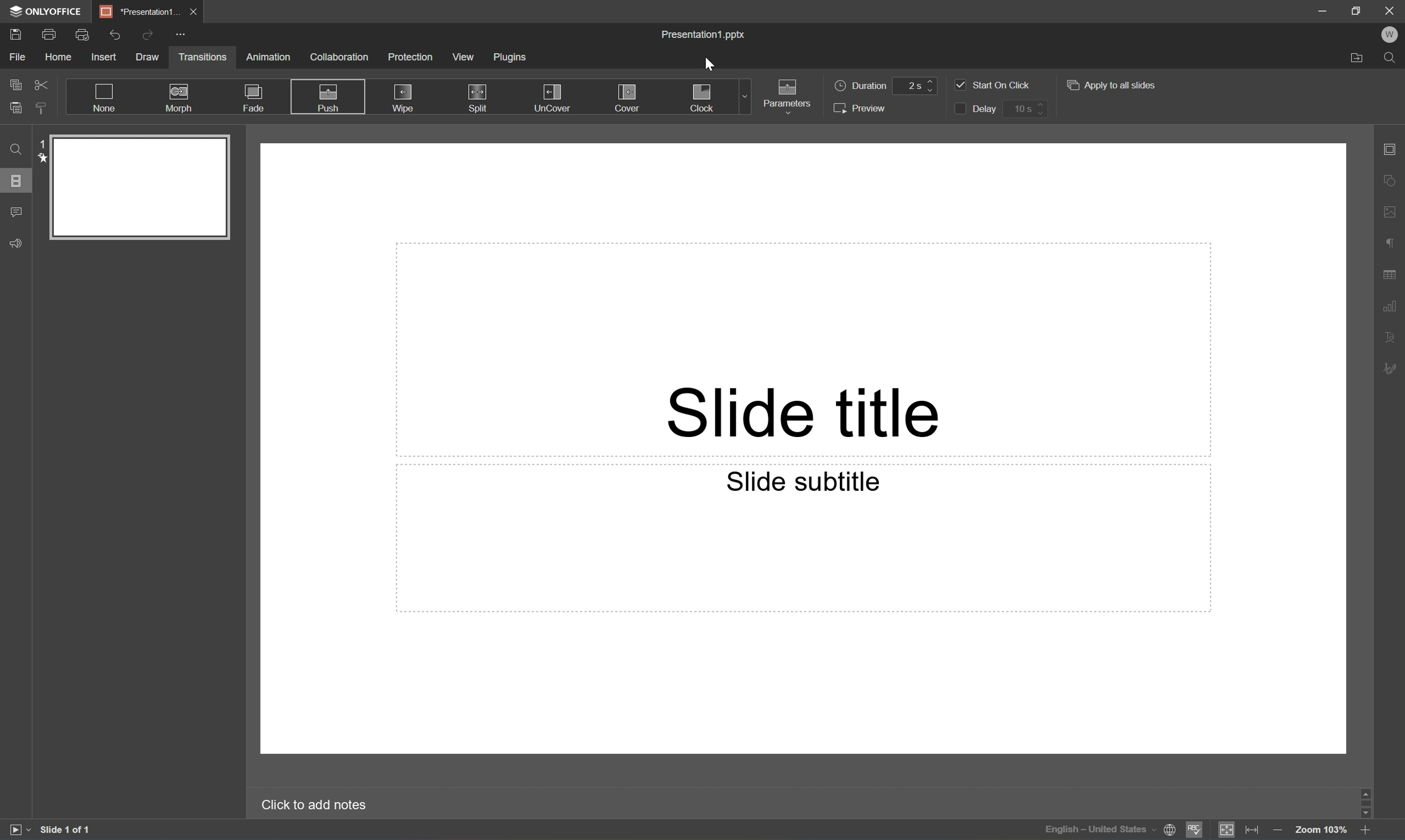 Image resolution: width=1405 pixels, height=840 pixels. I want to click on Slide settings, so click(1391, 149).